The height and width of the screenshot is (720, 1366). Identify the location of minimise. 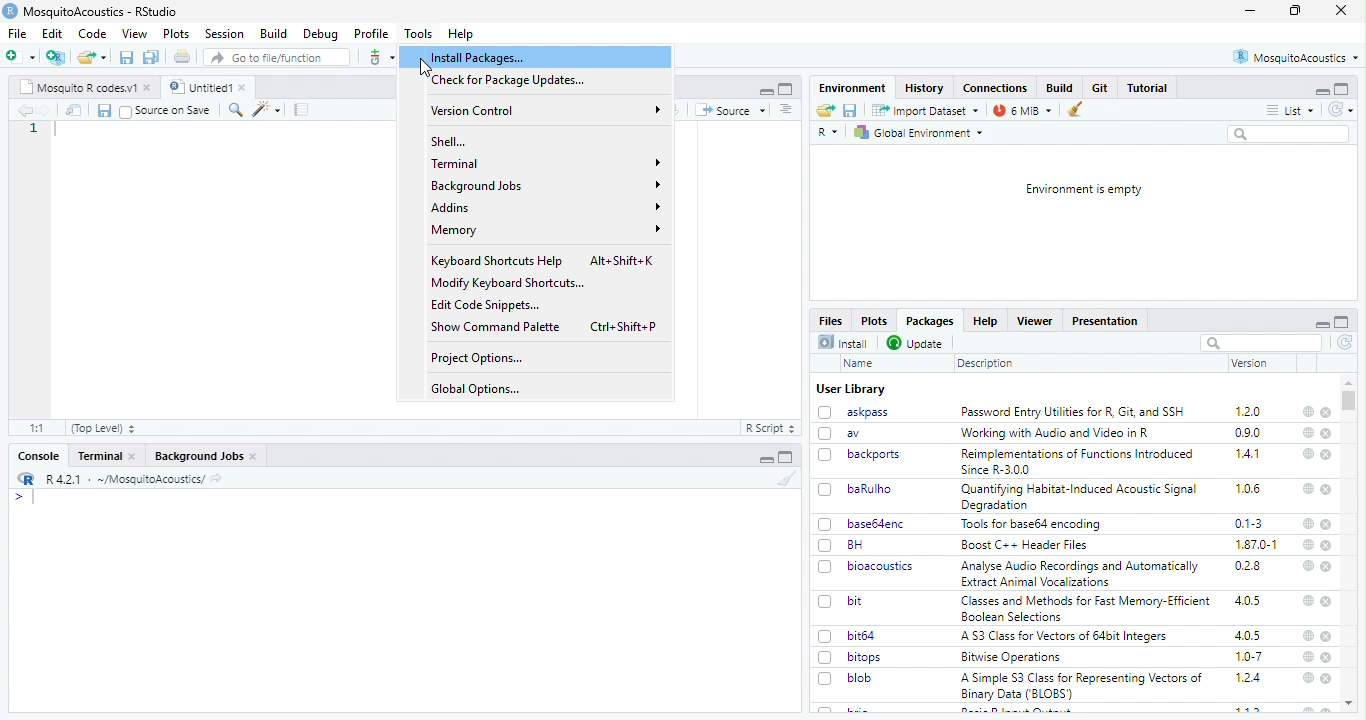
(767, 460).